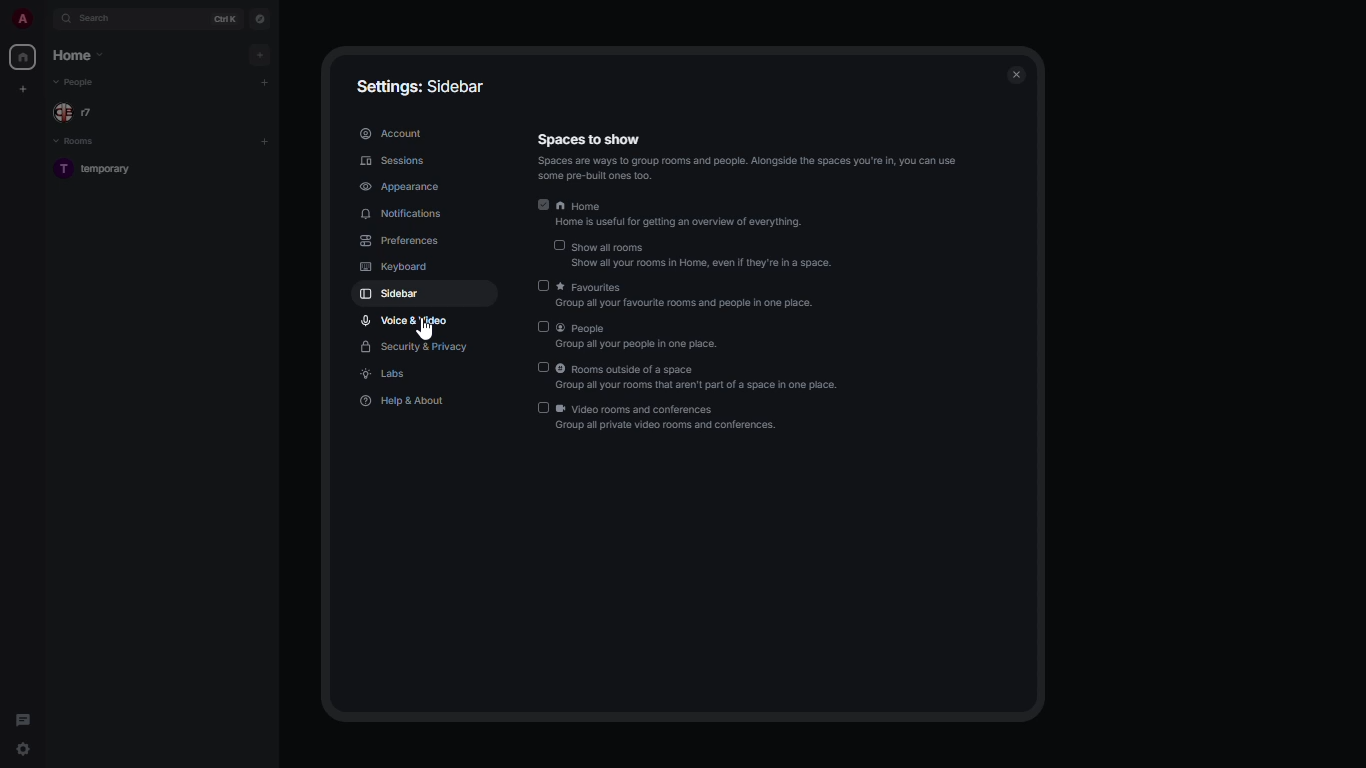 The height and width of the screenshot is (768, 1366). I want to click on cursor, so click(422, 334).